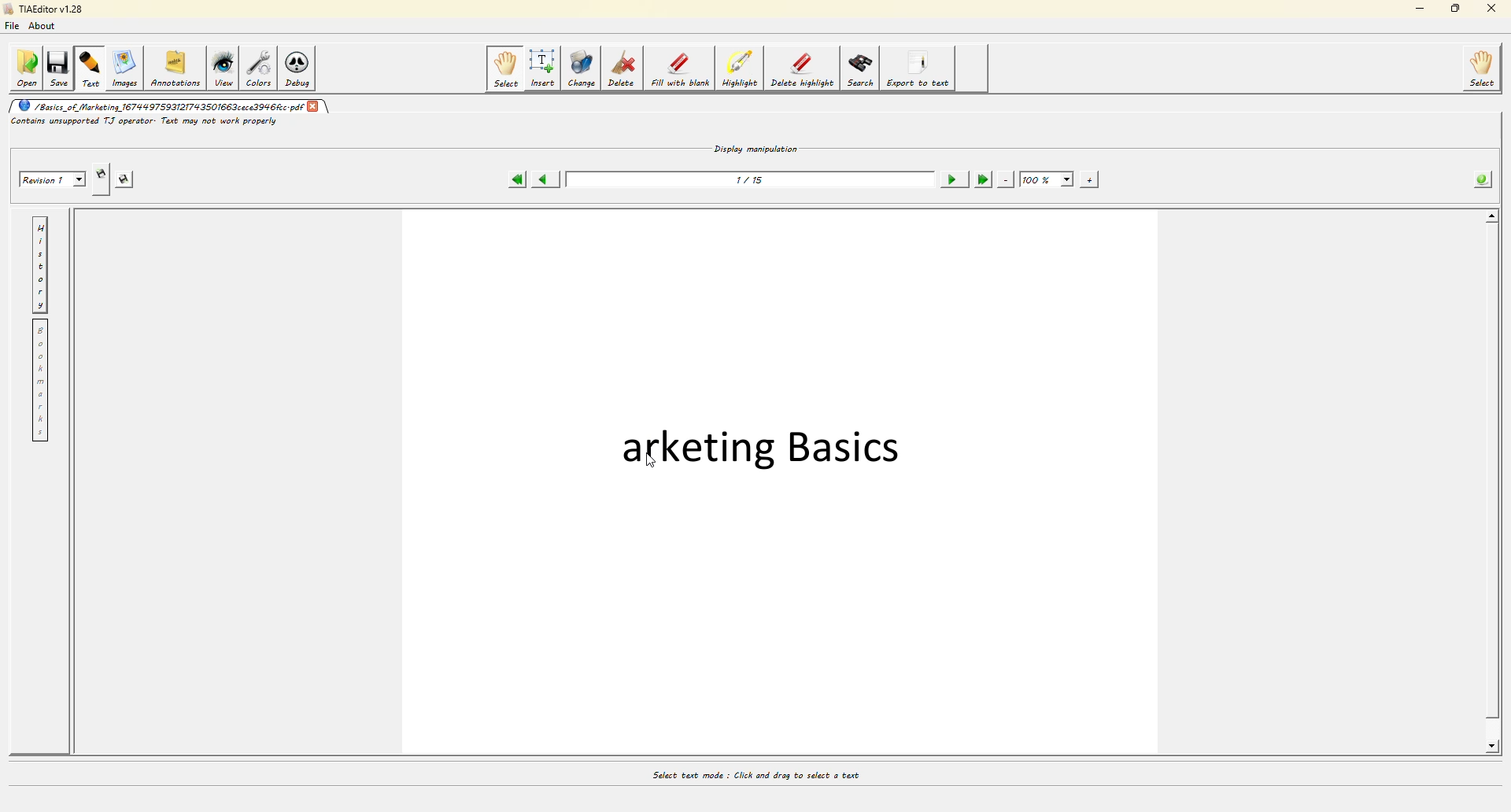 This screenshot has height=812, width=1511. Describe the element at coordinates (548, 176) in the screenshot. I see `previous page` at that location.